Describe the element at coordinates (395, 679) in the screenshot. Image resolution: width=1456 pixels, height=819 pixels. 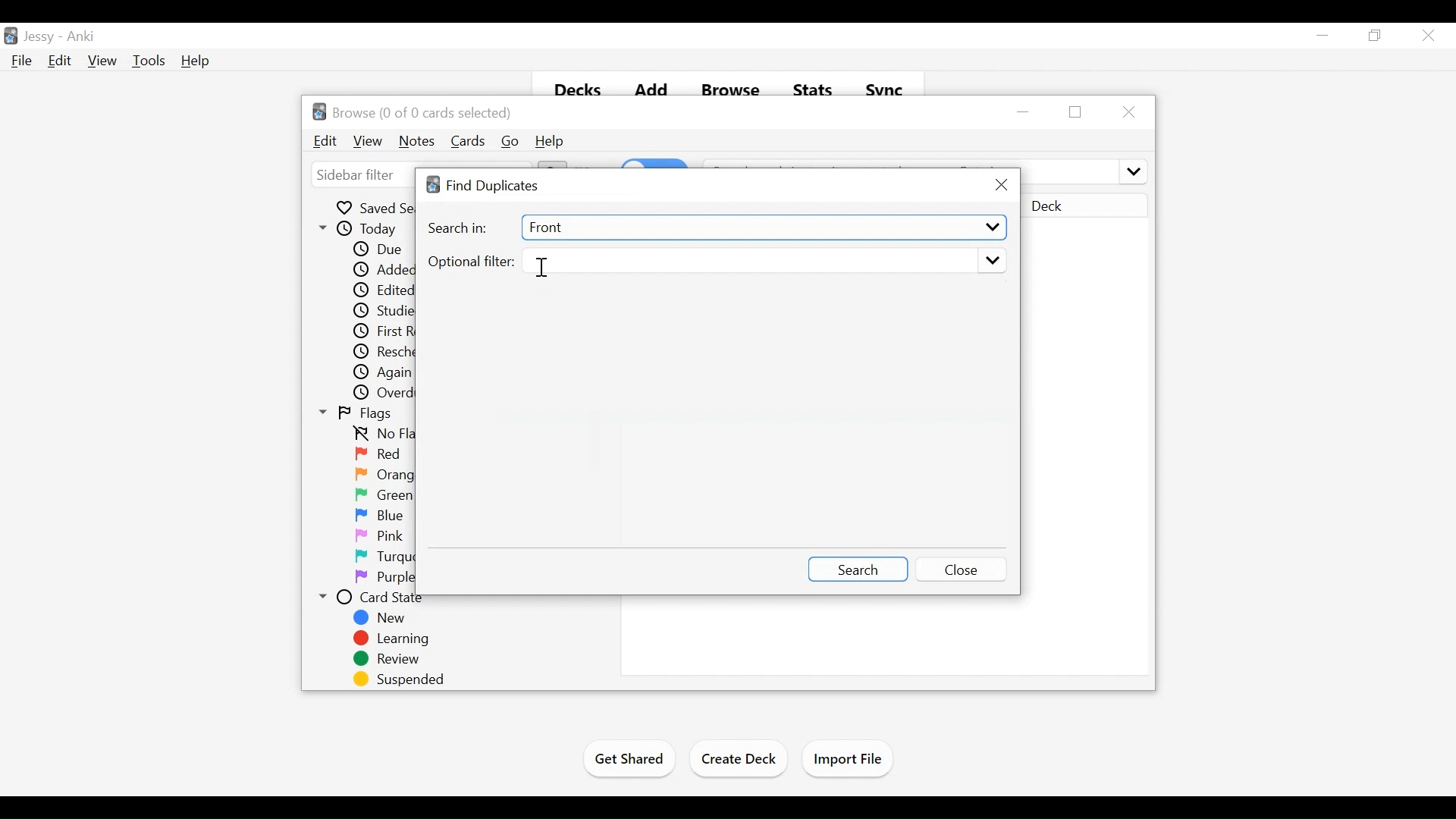
I see `Suspended` at that location.